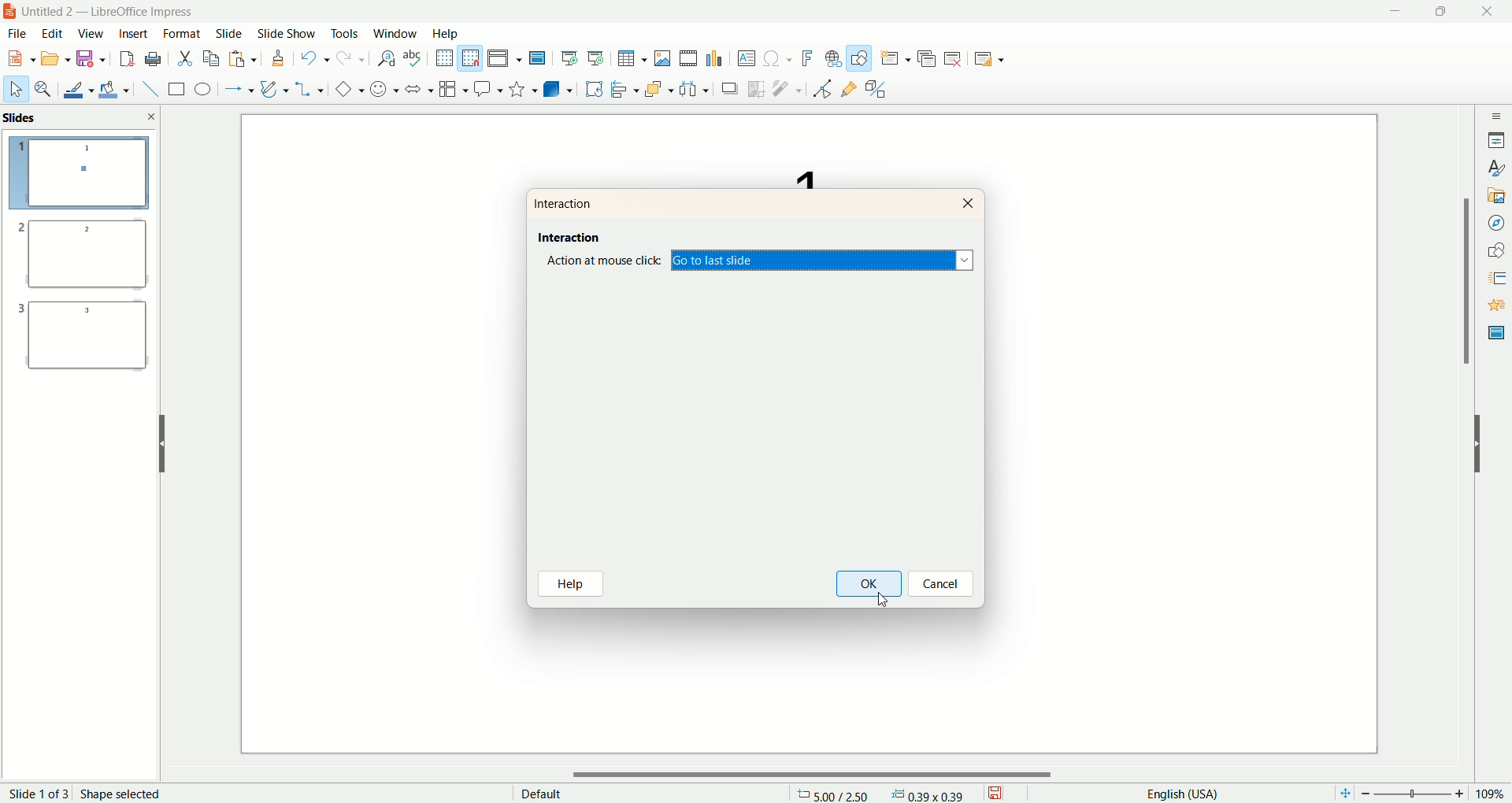  Describe the element at coordinates (37, 793) in the screenshot. I see `page number` at that location.